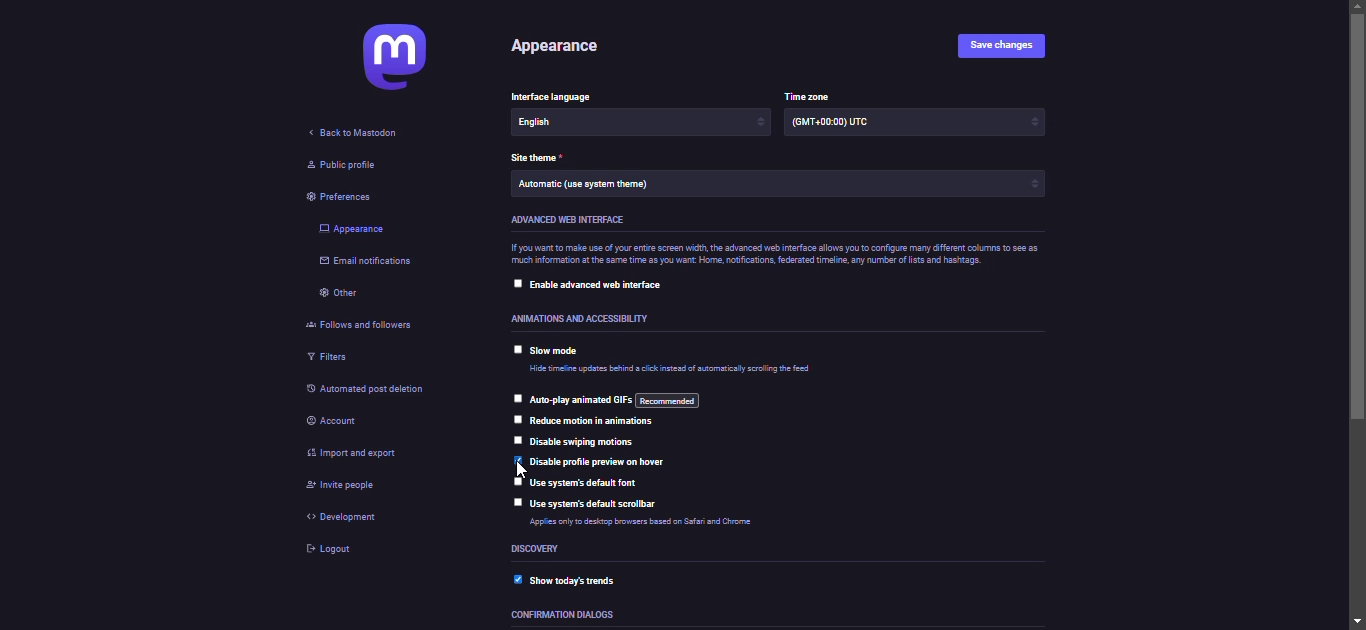 This screenshot has height=630, width=1366. Describe the element at coordinates (607, 462) in the screenshot. I see `disable profile preview on hover` at that location.